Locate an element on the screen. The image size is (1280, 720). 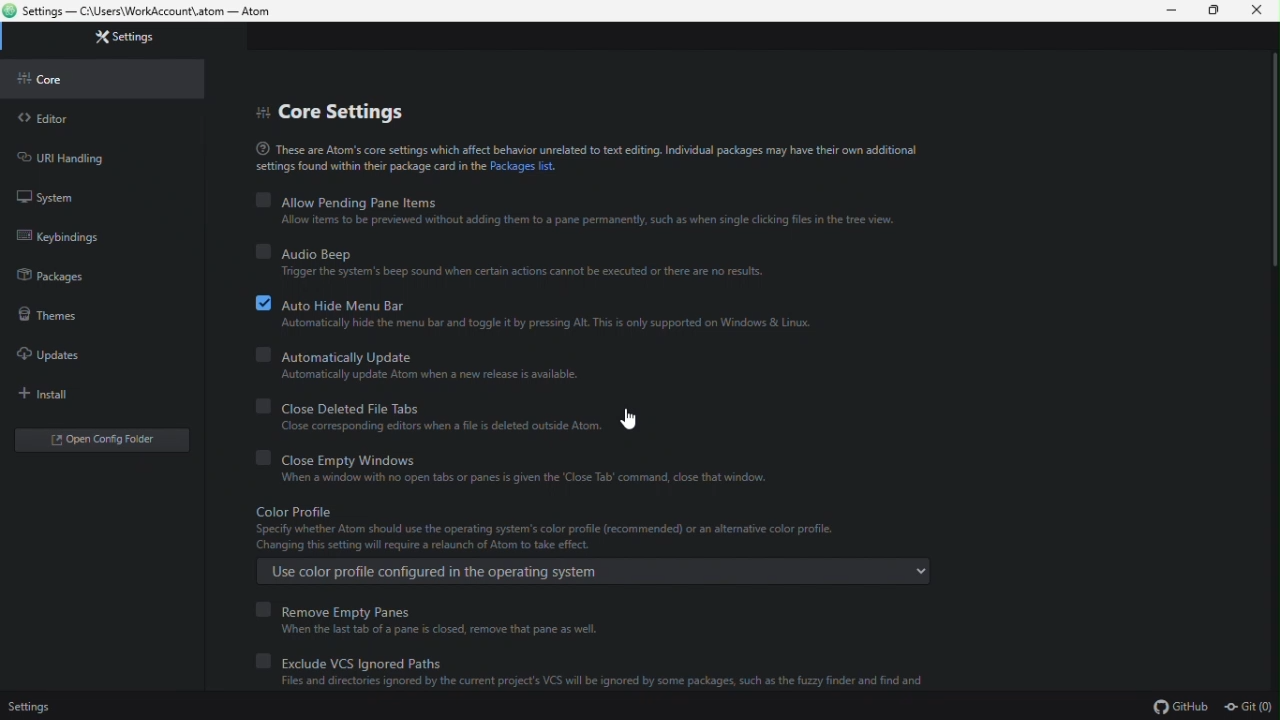
Packages is located at coordinates (94, 272).